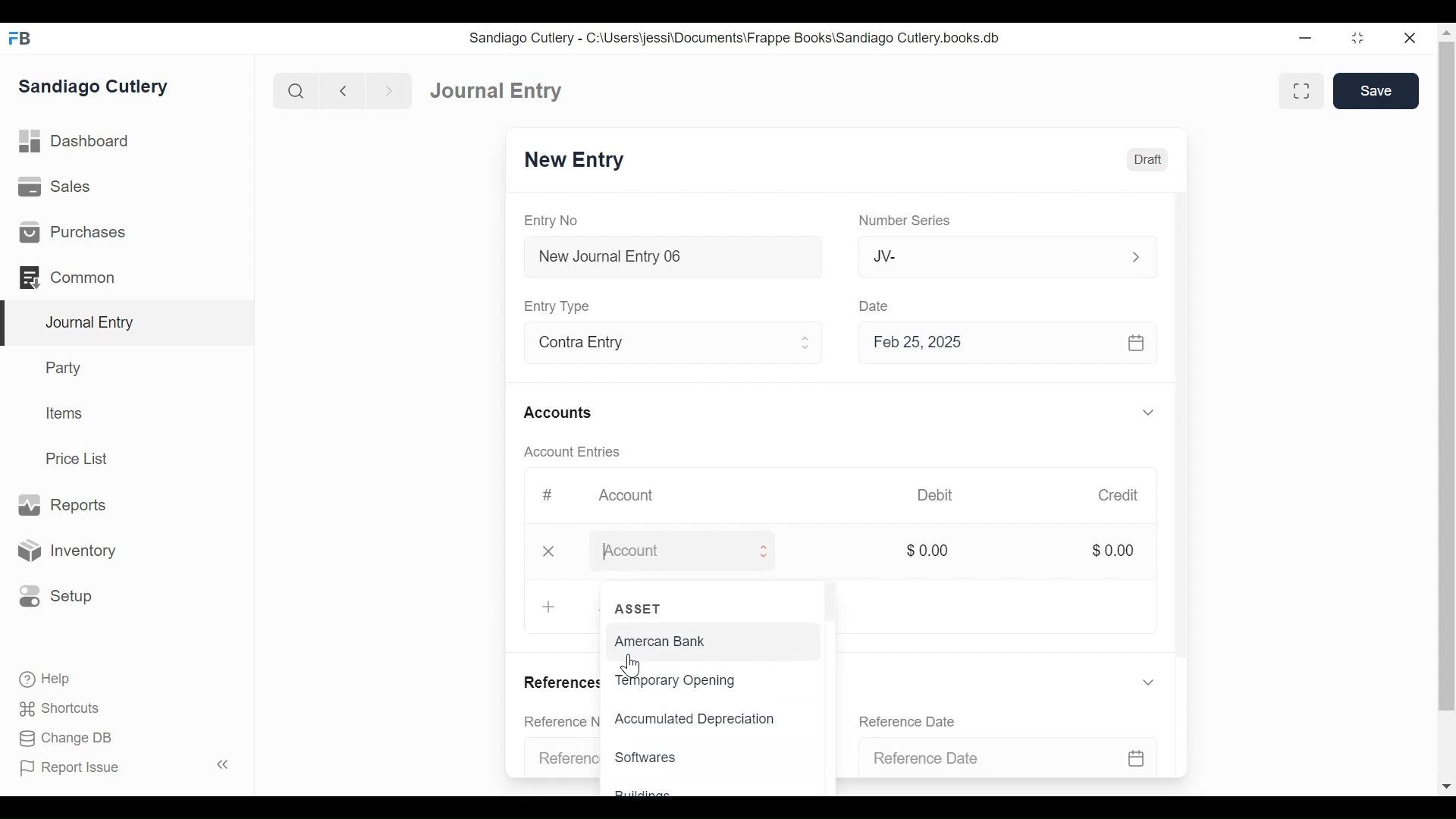 The width and height of the screenshot is (1456, 819). I want to click on Scroll up, so click(1445, 32).